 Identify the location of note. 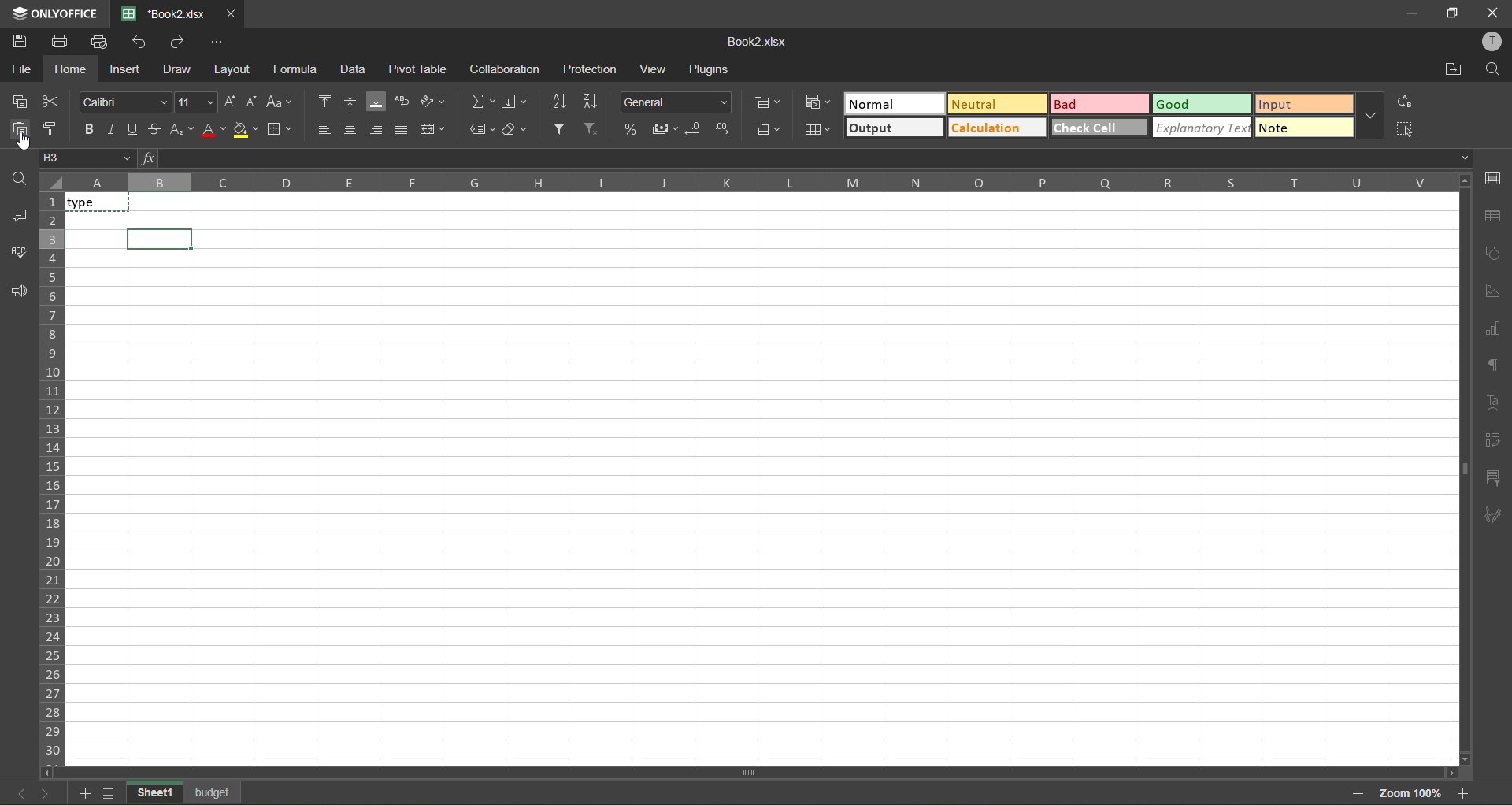
(1304, 128).